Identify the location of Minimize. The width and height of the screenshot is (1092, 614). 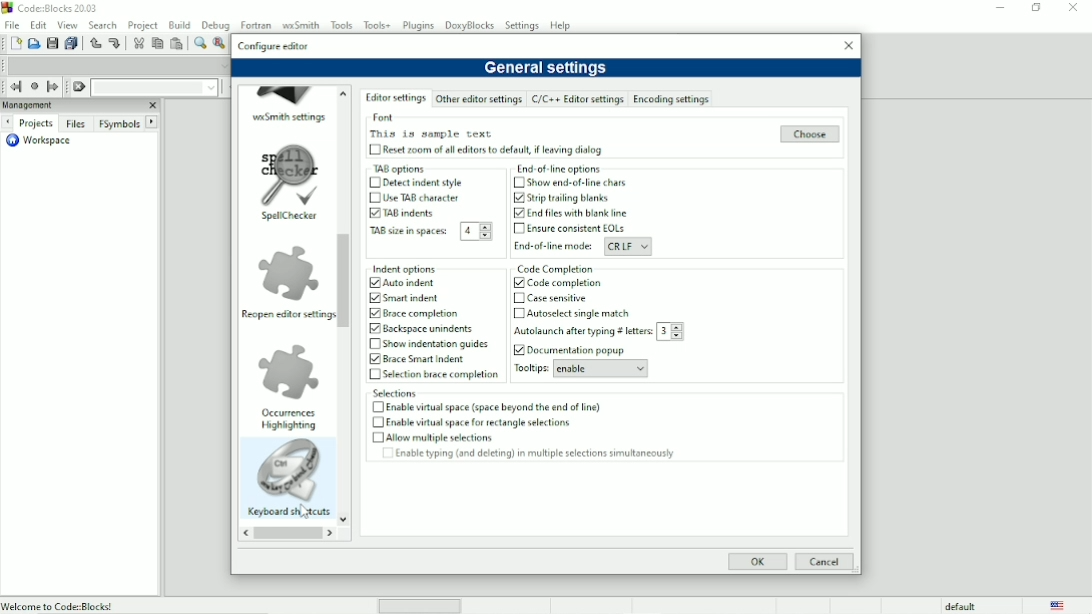
(996, 8).